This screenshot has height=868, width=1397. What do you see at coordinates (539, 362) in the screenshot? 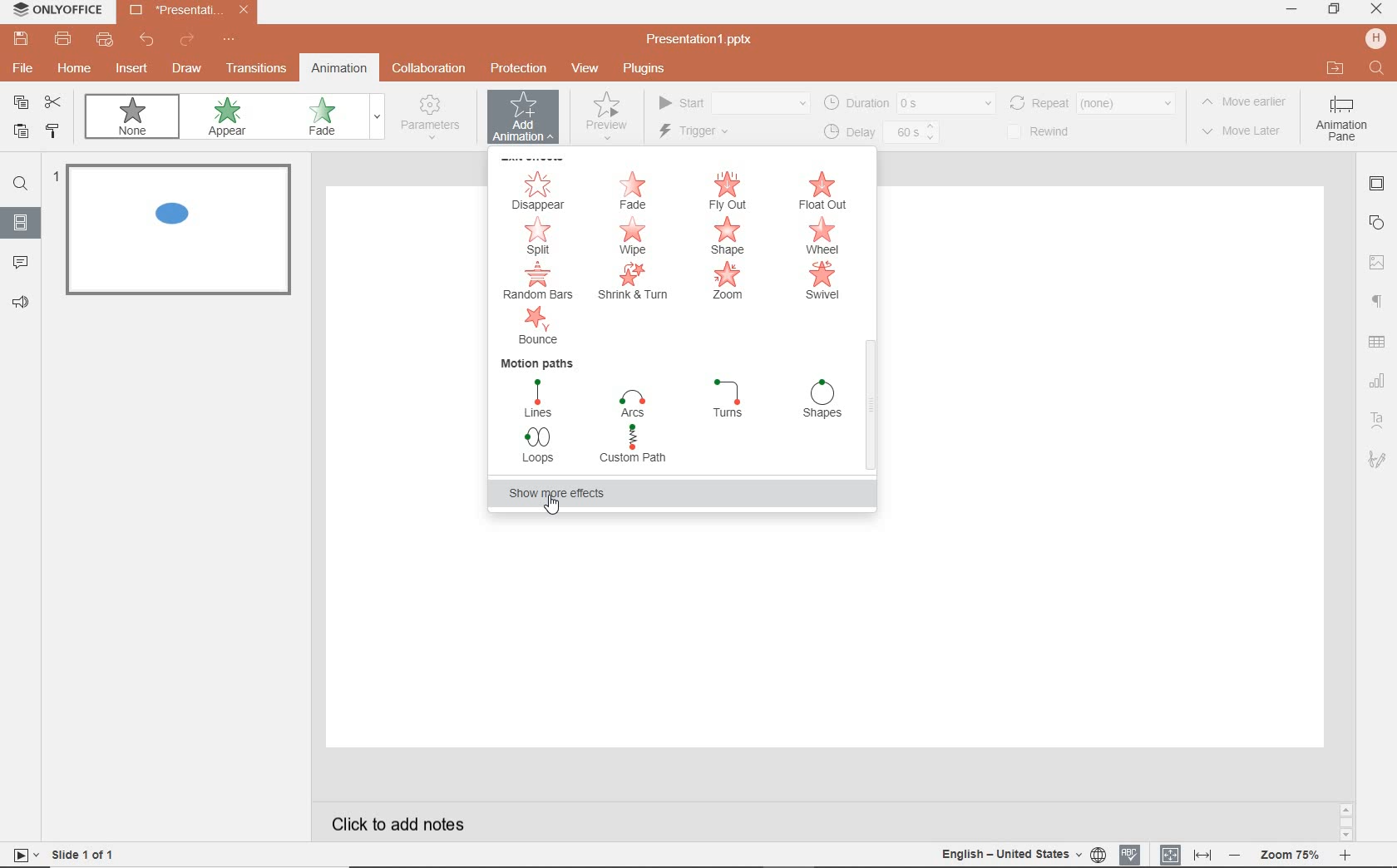
I see `MOTION PATHS` at bounding box center [539, 362].